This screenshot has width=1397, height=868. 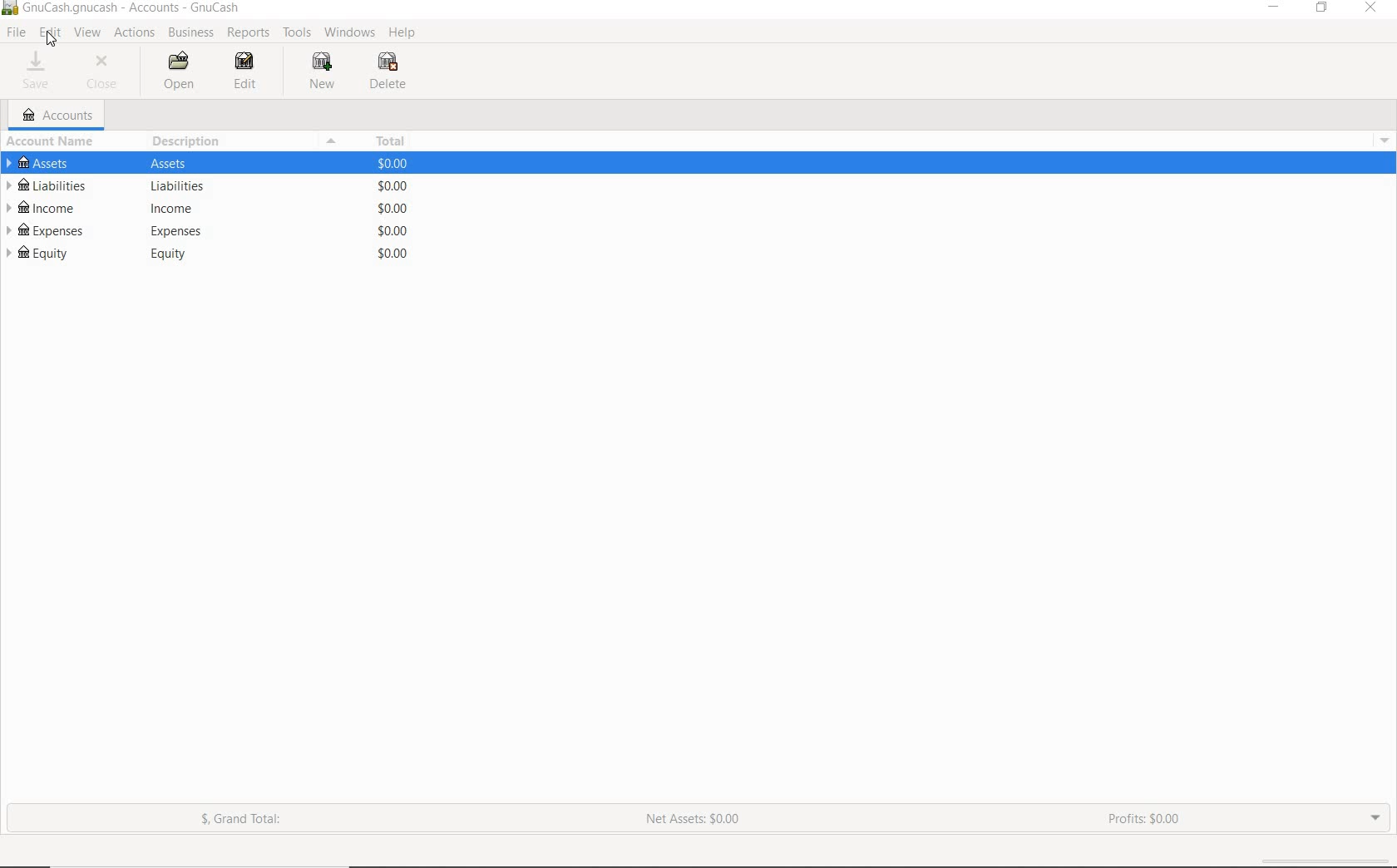 What do you see at coordinates (88, 33) in the screenshot?
I see `VIEW` at bounding box center [88, 33].